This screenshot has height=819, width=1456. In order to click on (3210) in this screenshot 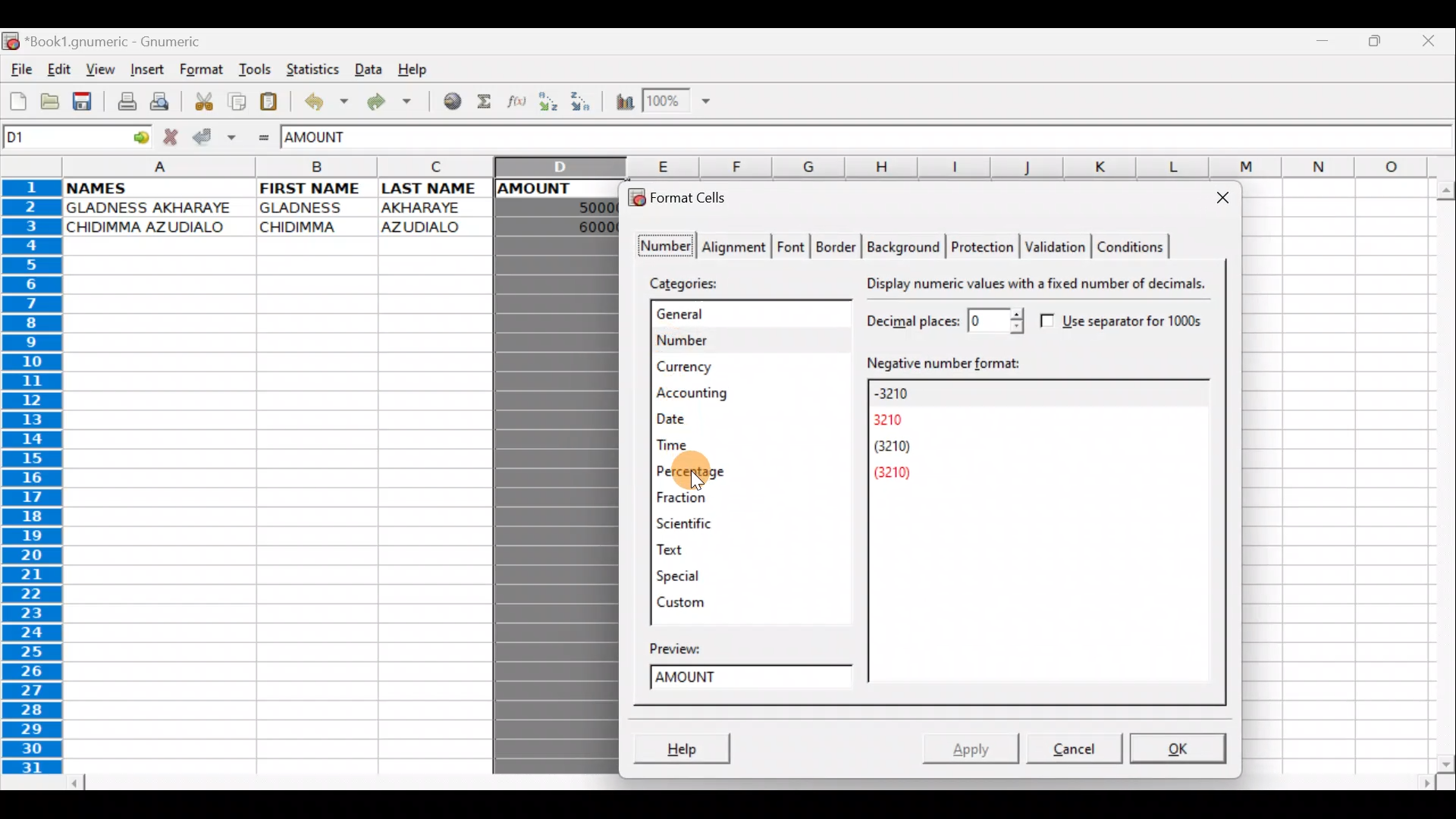, I will do `click(897, 449)`.